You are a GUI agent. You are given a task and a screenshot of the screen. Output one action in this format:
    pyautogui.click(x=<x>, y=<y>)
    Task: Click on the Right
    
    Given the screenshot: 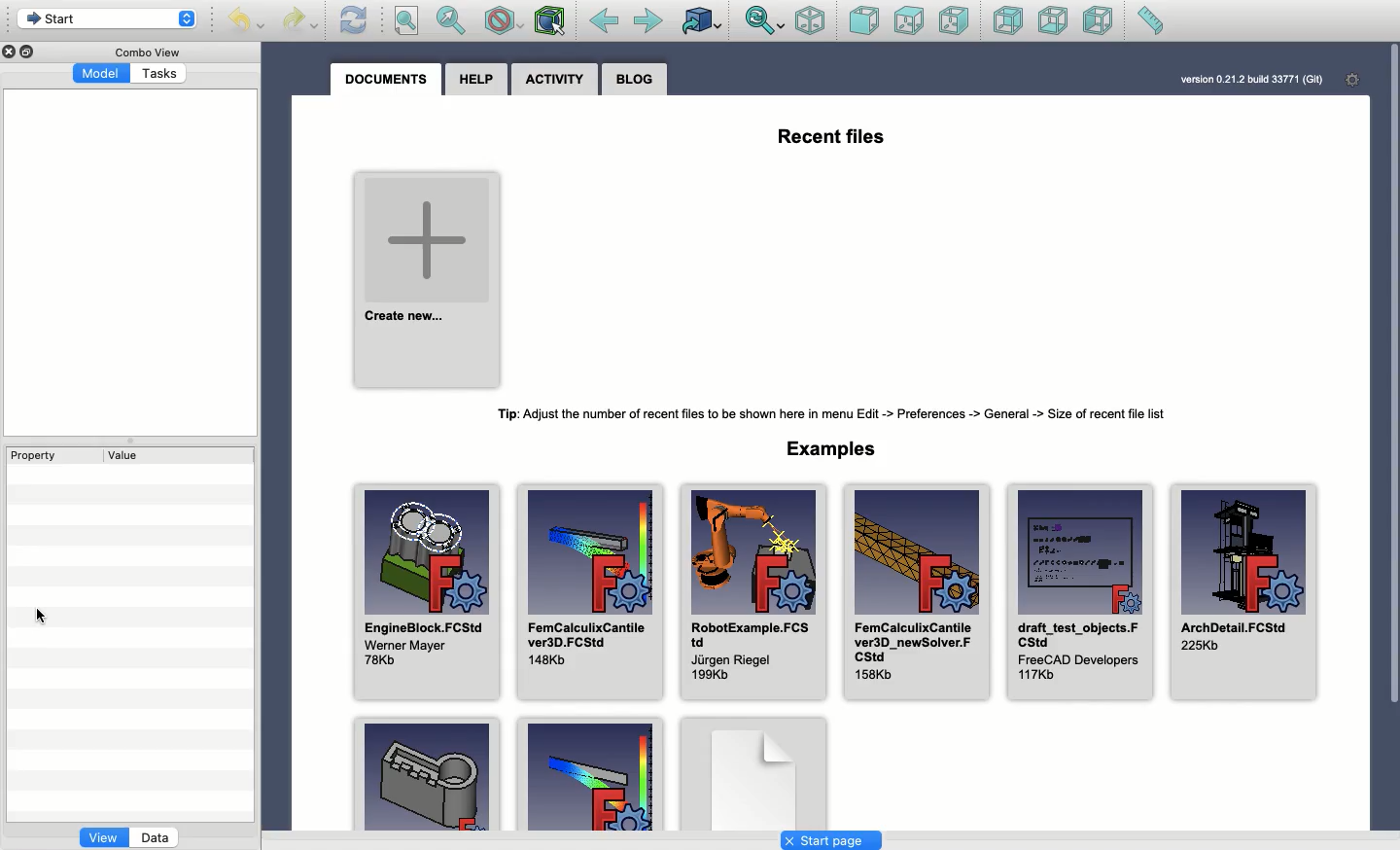 What is the action you would take?
    pyautogui.click(x=956, y=19)
    